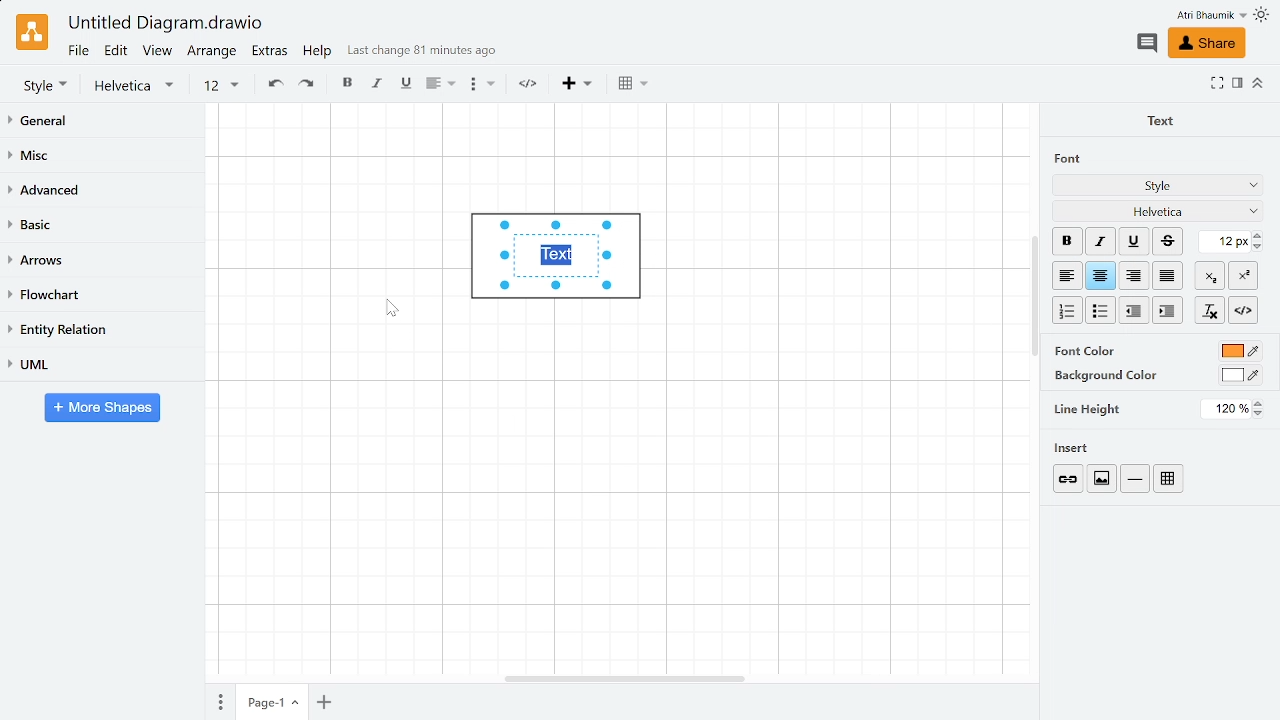 Image resolution: width=1280 pixels, height=720 pixels. Describe the element at coordinates (1217, 82) in the screenshot. I see `Expand` at that location.